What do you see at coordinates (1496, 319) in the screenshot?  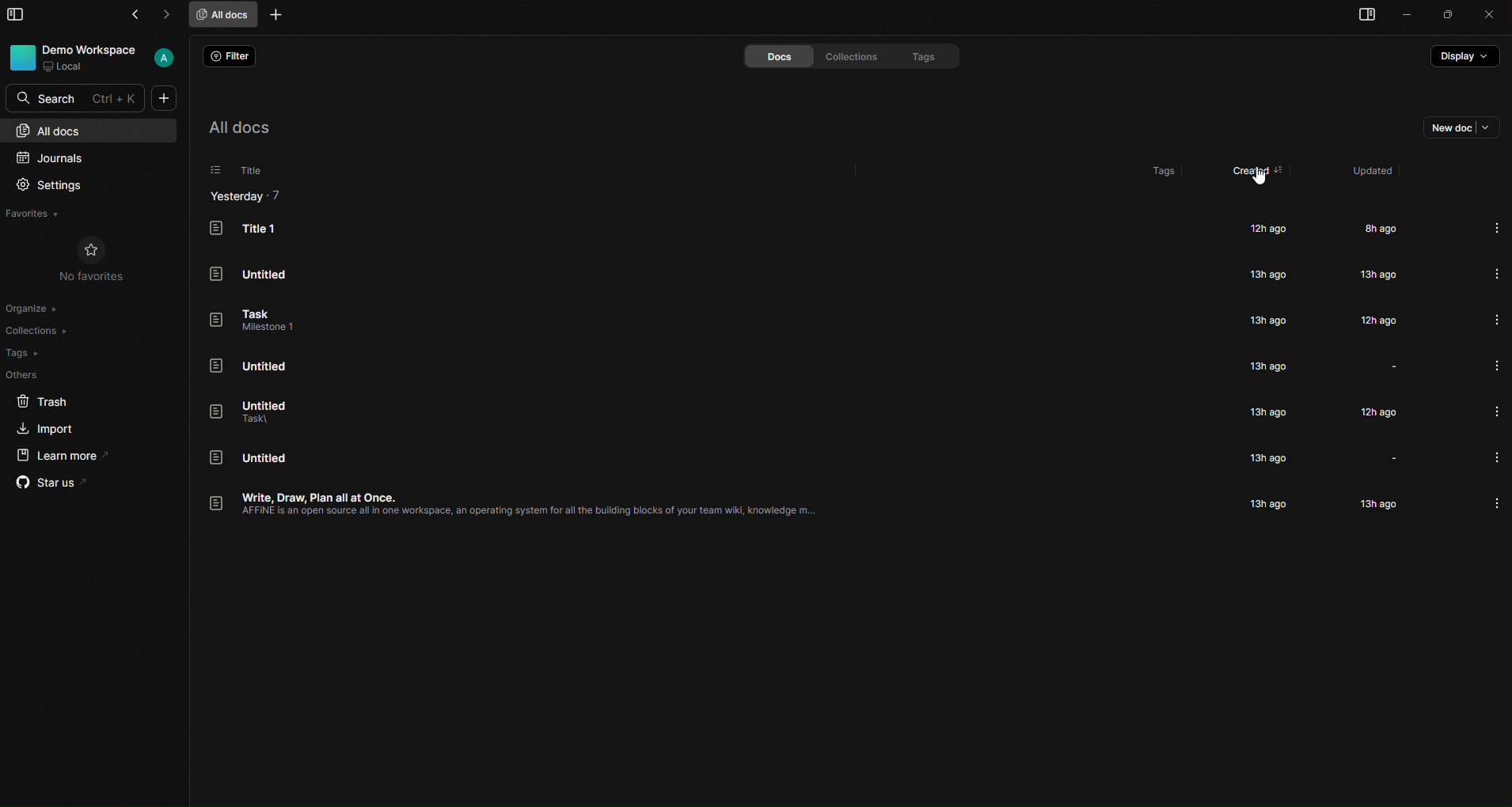 I see `more info` at bounding box center [1496, 319].